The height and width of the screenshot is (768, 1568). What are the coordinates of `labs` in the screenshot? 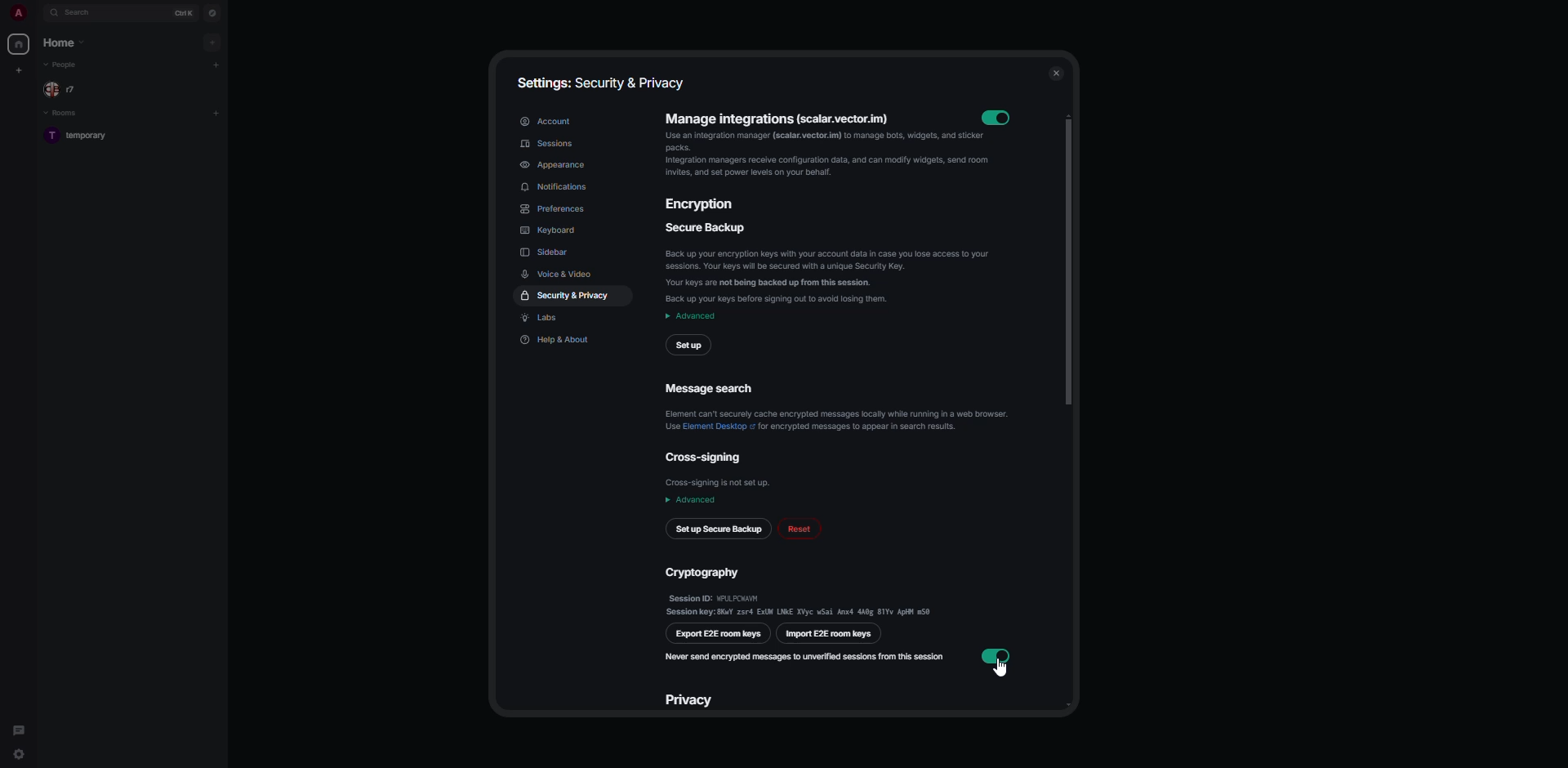 It's located at (545, 319).